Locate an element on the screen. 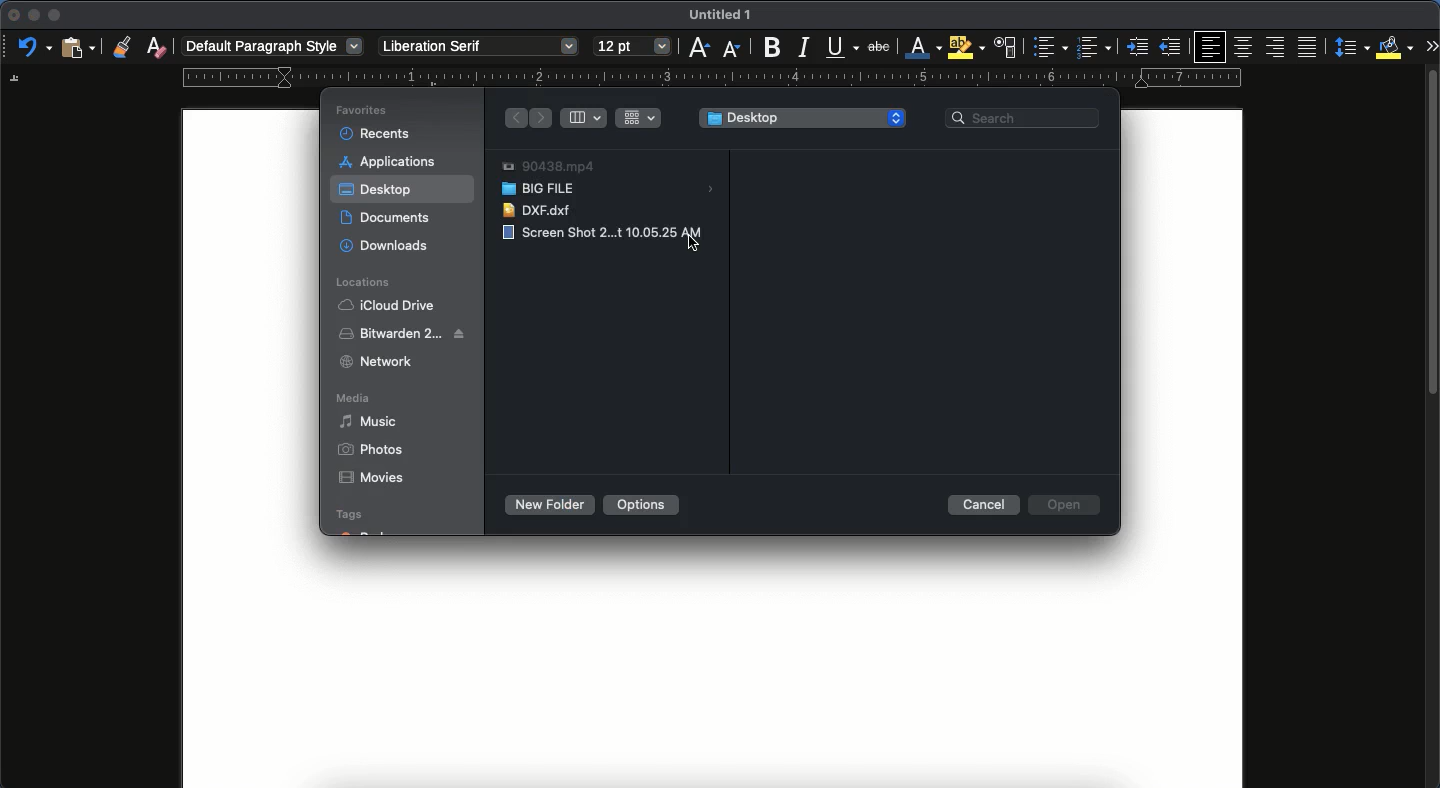  image is located at coordinates (589, 233).